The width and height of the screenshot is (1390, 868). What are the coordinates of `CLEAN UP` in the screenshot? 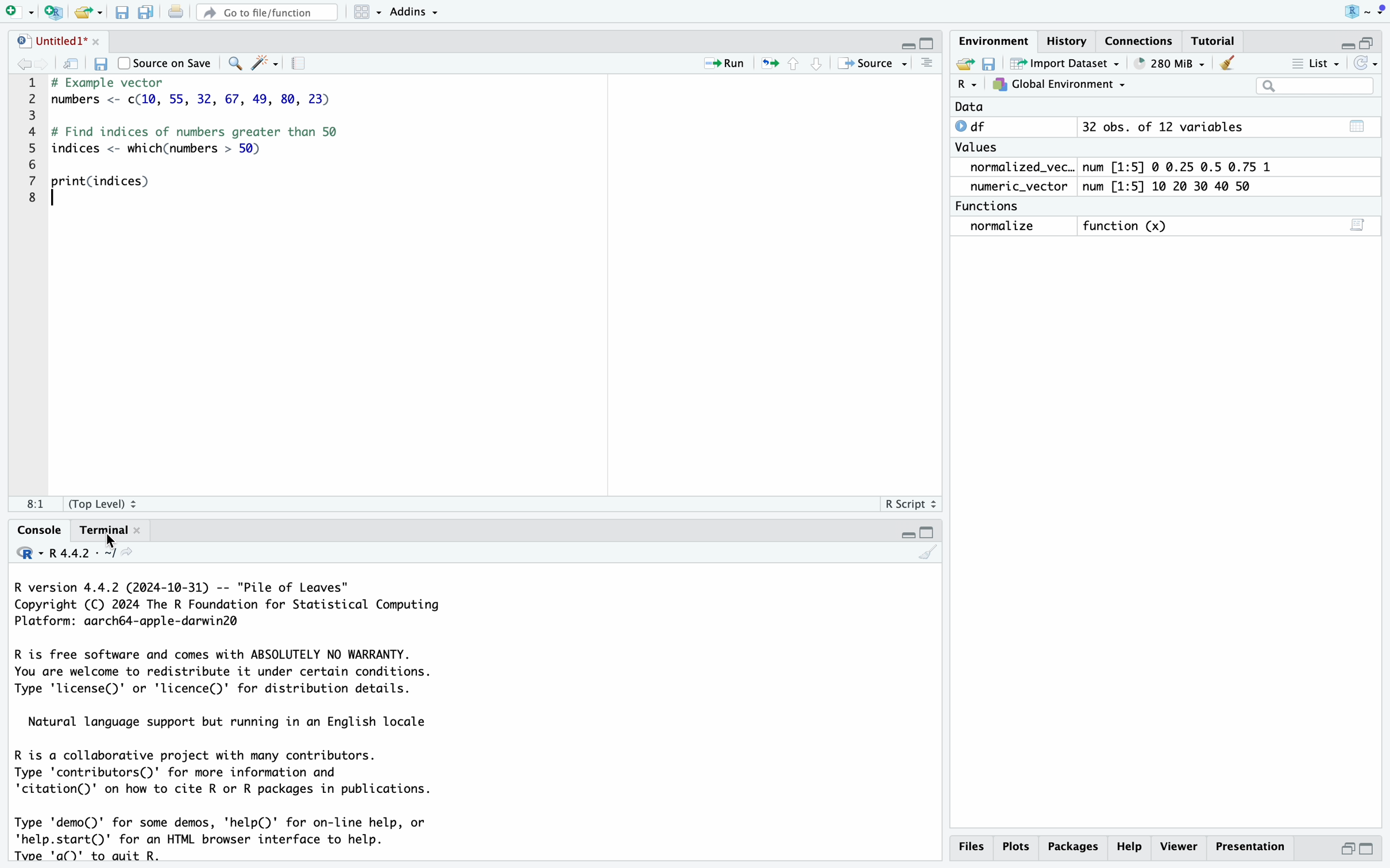 It's located at (926, 552).